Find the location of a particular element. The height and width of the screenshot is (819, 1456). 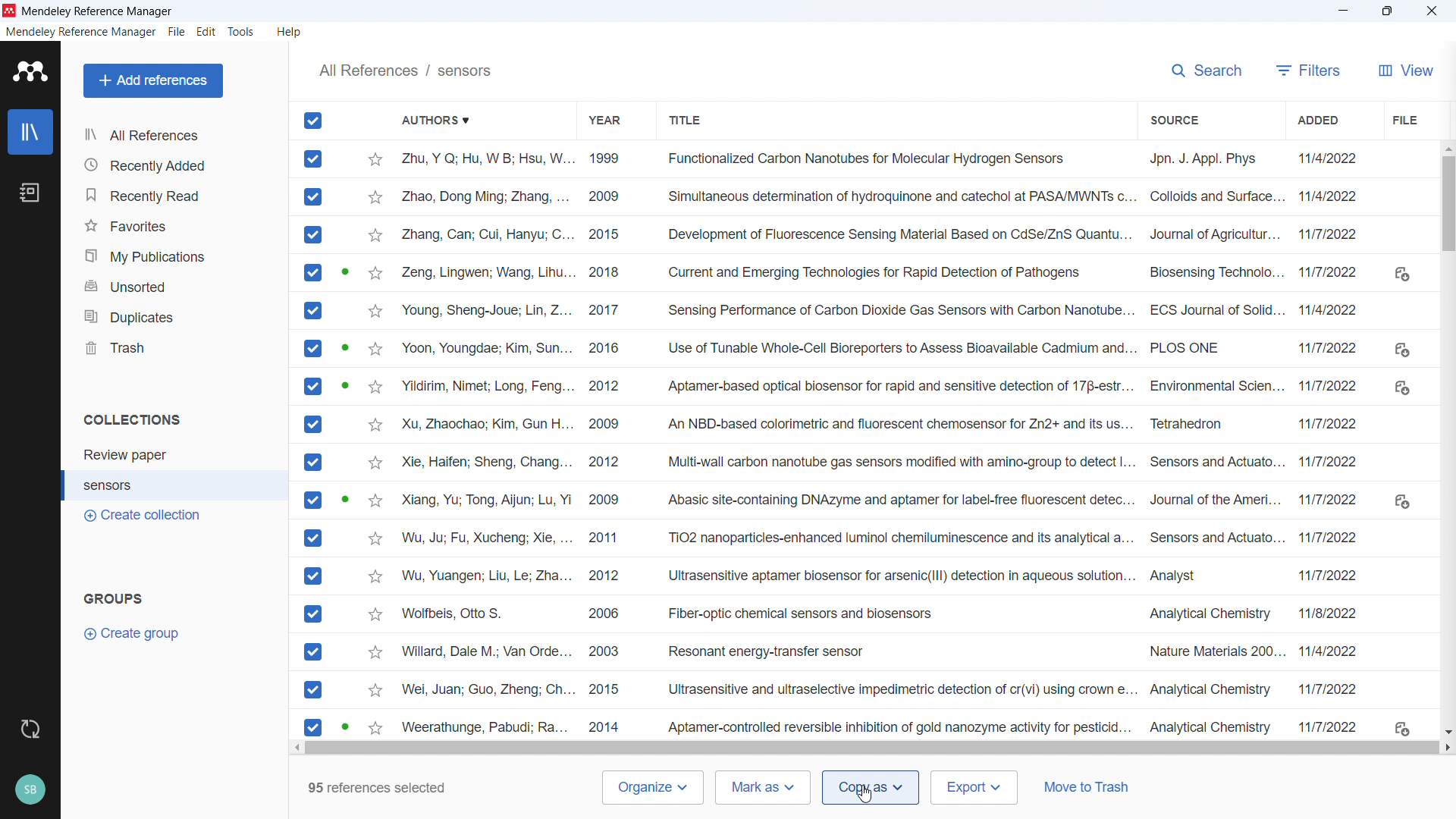

mendeley reference manager is located at coordinates (80, 32).